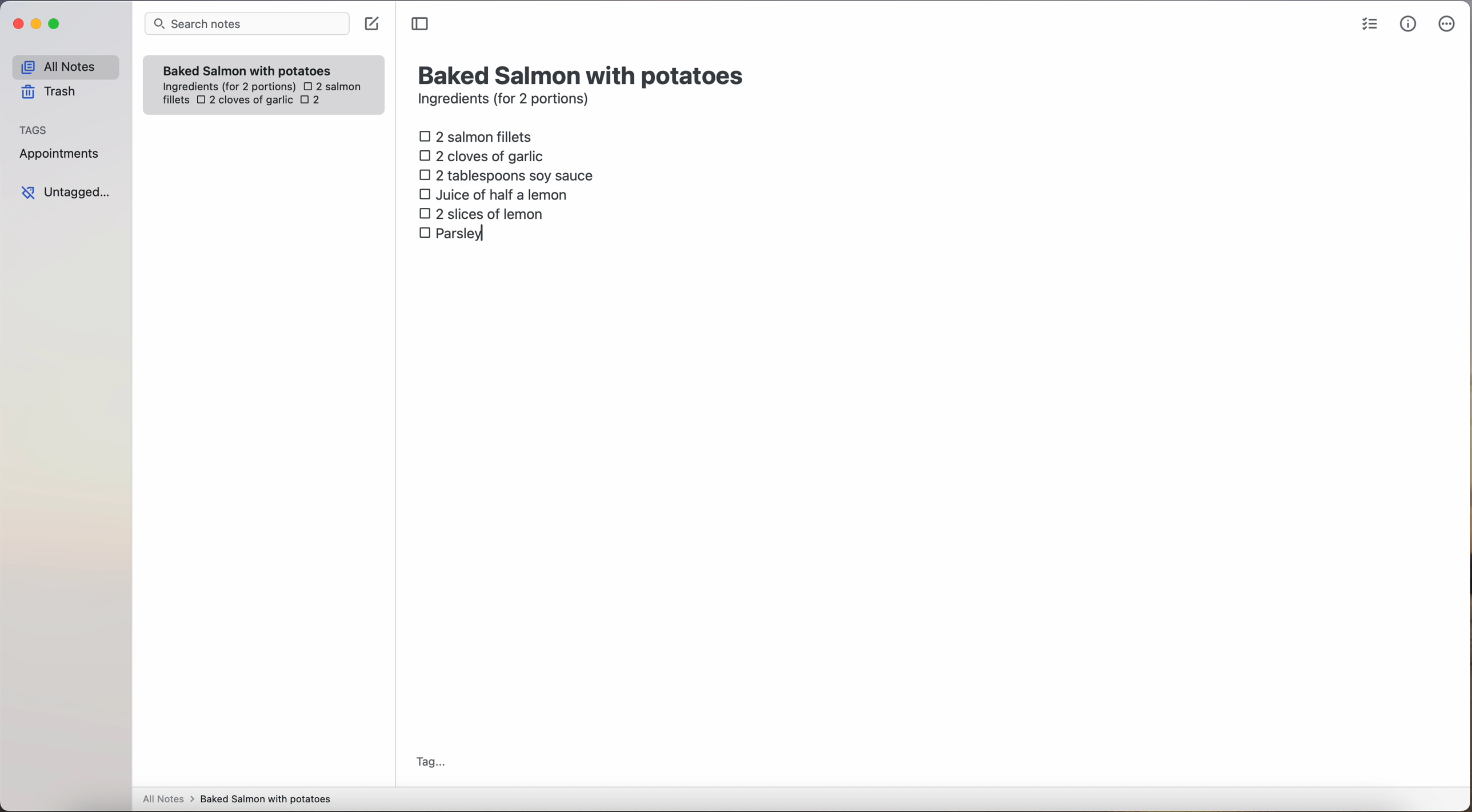 Image resolution: width=1472 pixels, height=812 pixels. What do you see at coordinates (479, 135) in the screenshot?
I see `2 salmon fillets` at bounding box center [479, 135].